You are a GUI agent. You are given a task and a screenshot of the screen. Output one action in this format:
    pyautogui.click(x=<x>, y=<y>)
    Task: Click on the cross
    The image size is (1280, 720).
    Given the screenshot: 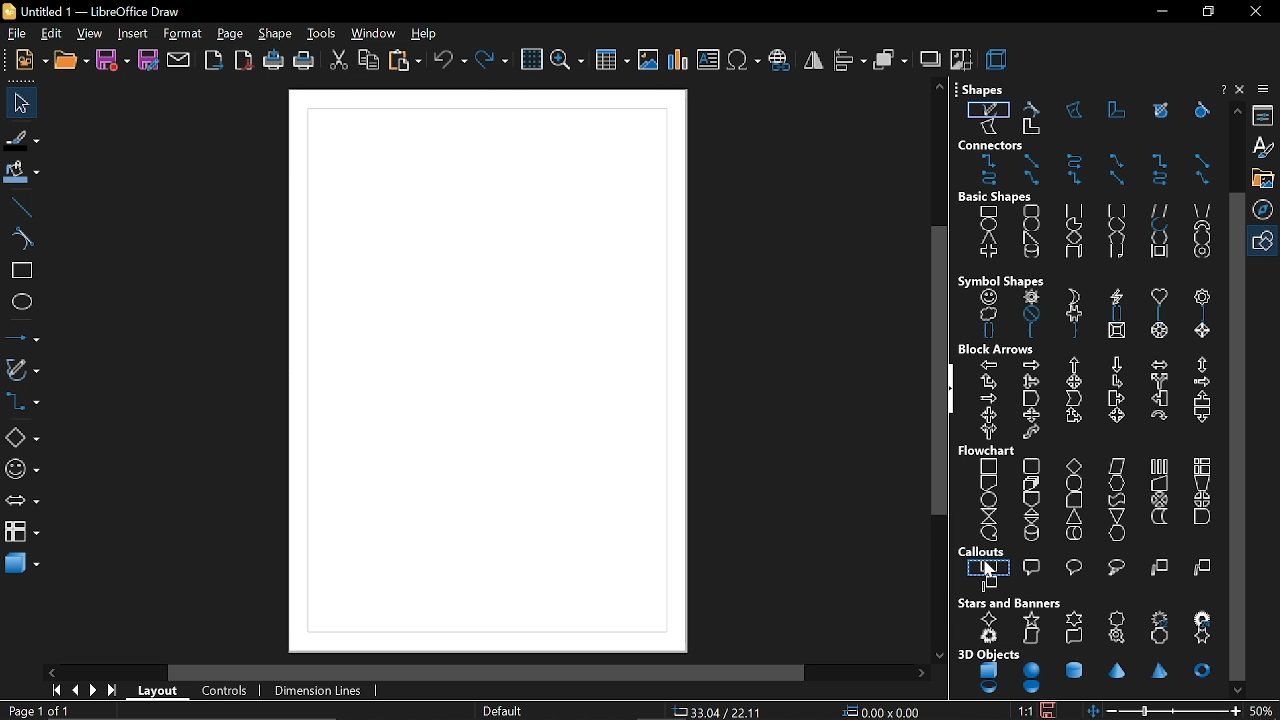 What is the action you would take?
    pyautogui.click(x=987, y=255)
    